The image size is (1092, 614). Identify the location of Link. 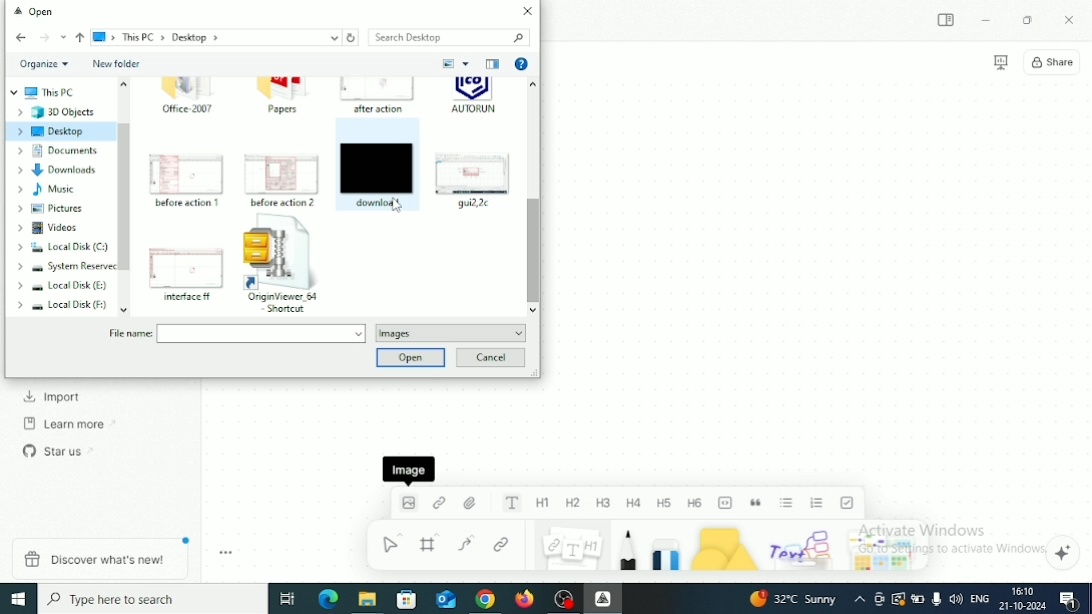
(440, 503).